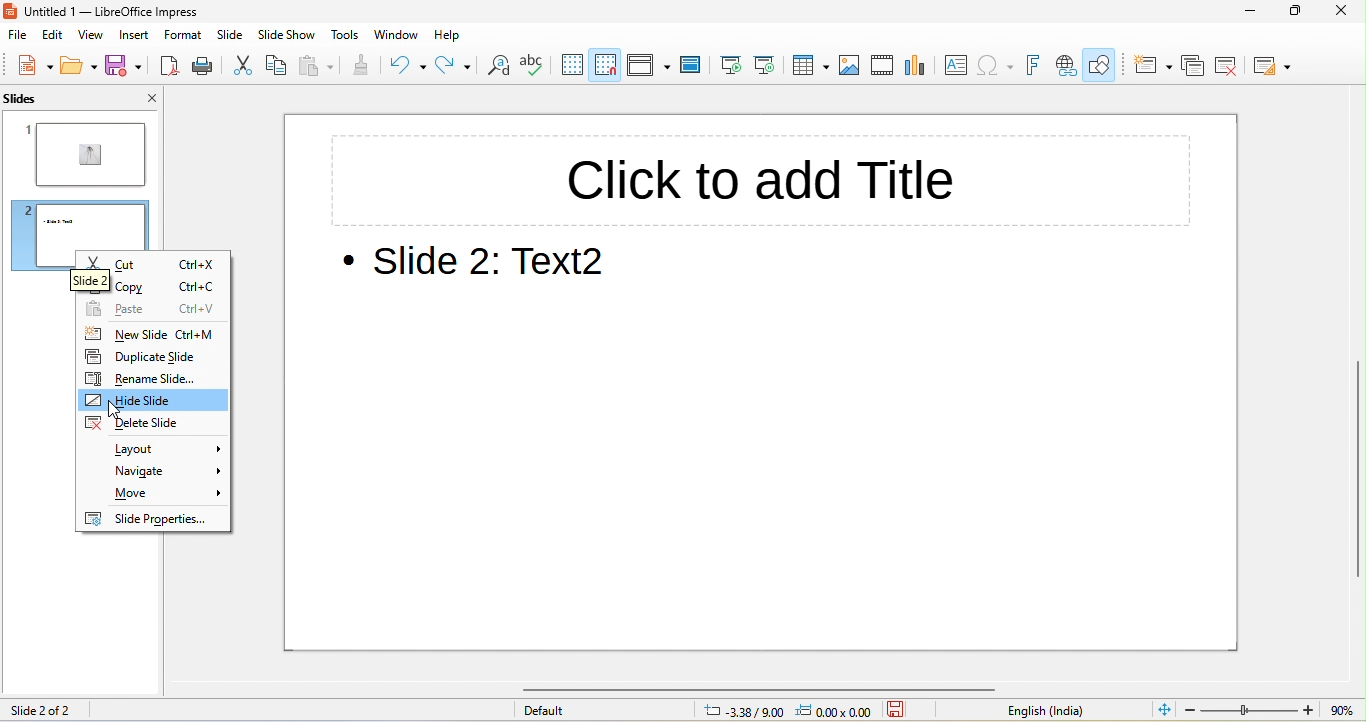 This screenshot has width=1366, height=722. I want to click on redo, so click(456, 67).